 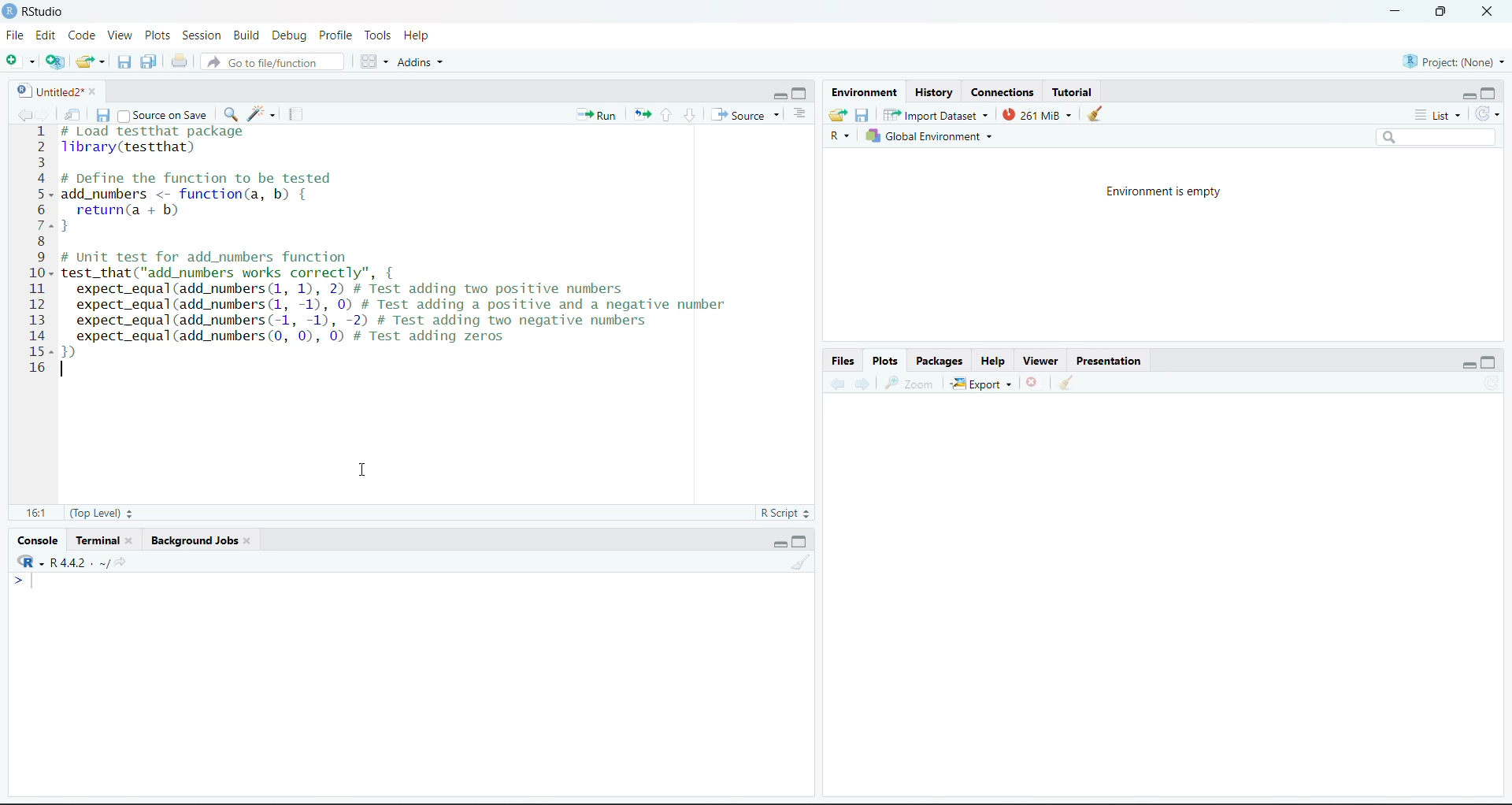 What do you see at coordinates (1098, 115) in the screenshot?
I see `clear console` at bounding box center [1098, 115].